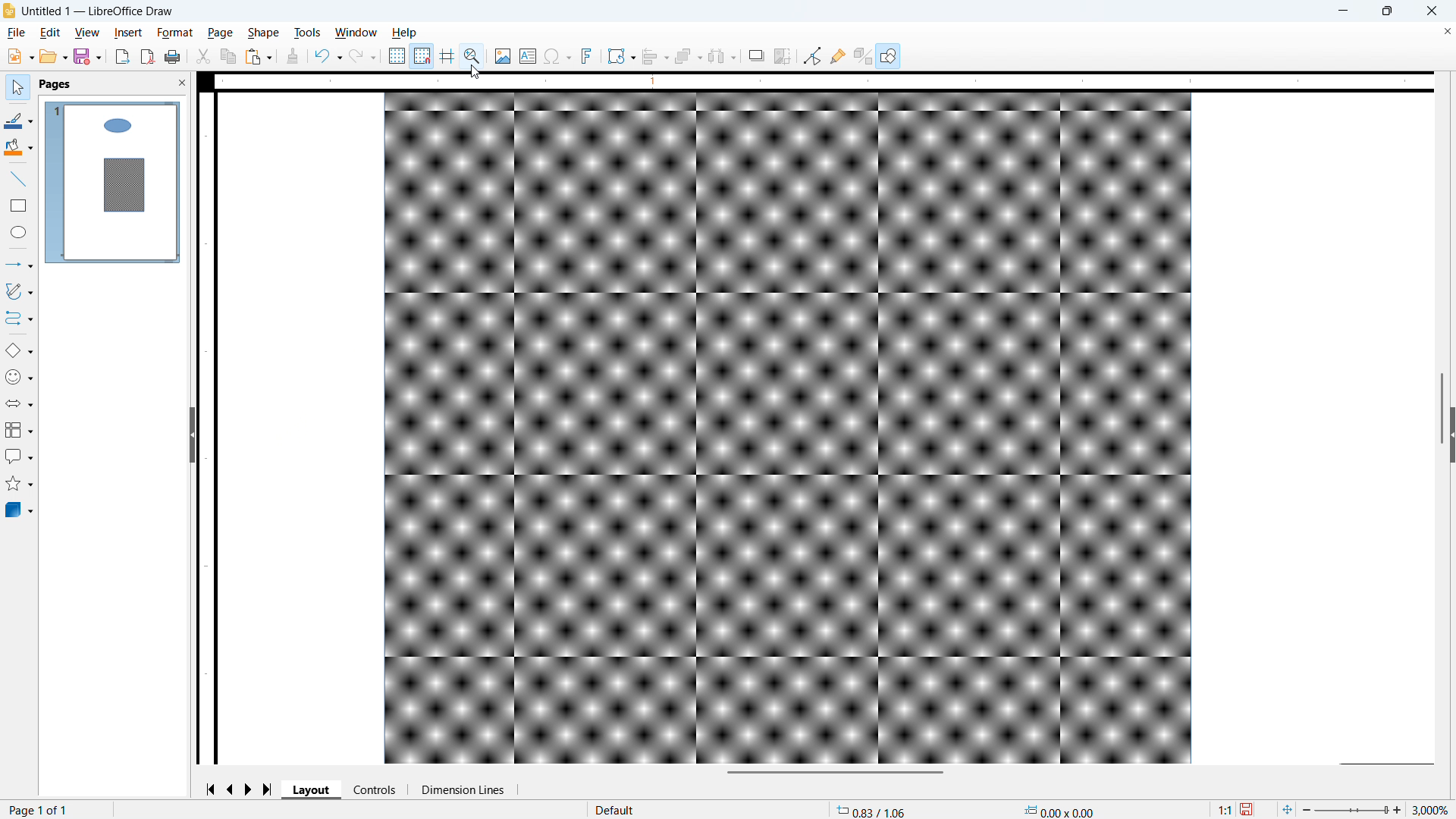 This screenshot has height=819, width=1456. Describe the element at coordinates (204, 56) in the screenshot. I see `cut ` at that location.